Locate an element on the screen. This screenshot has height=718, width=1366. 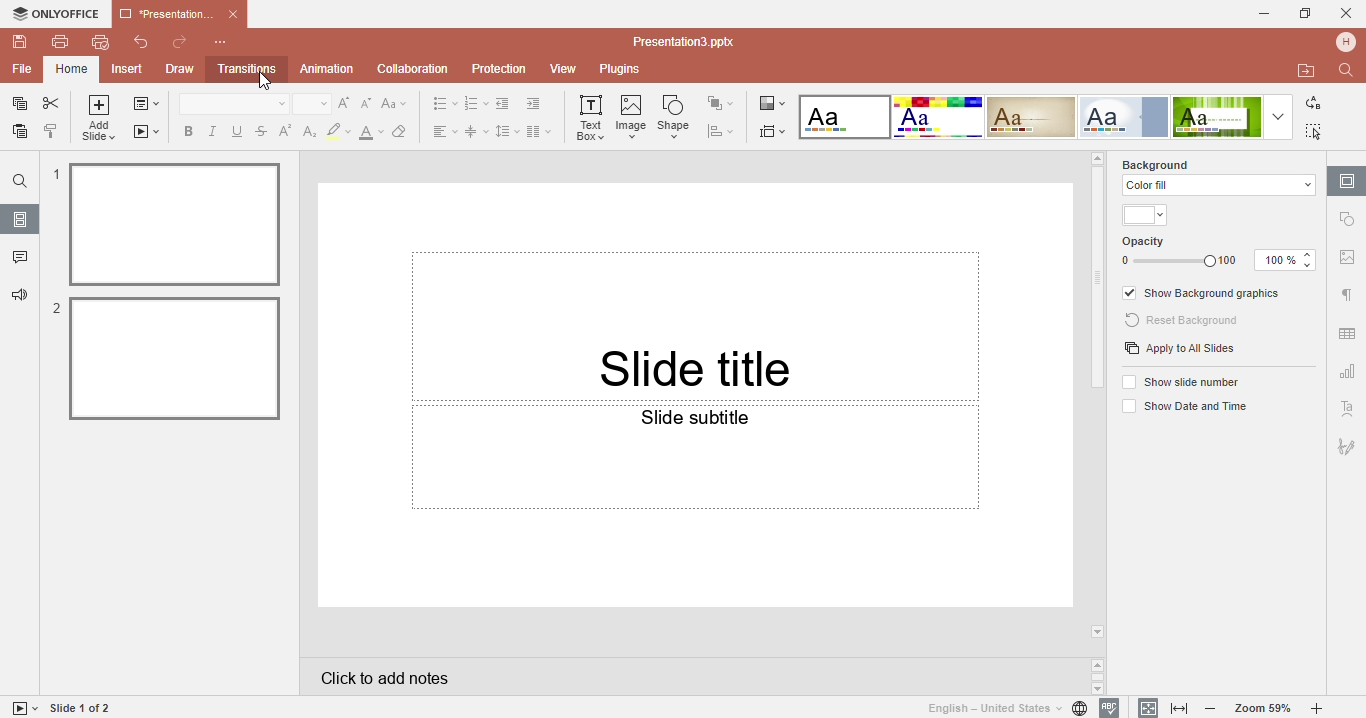
Apply to all slides is located at coordinates (1180, 350).